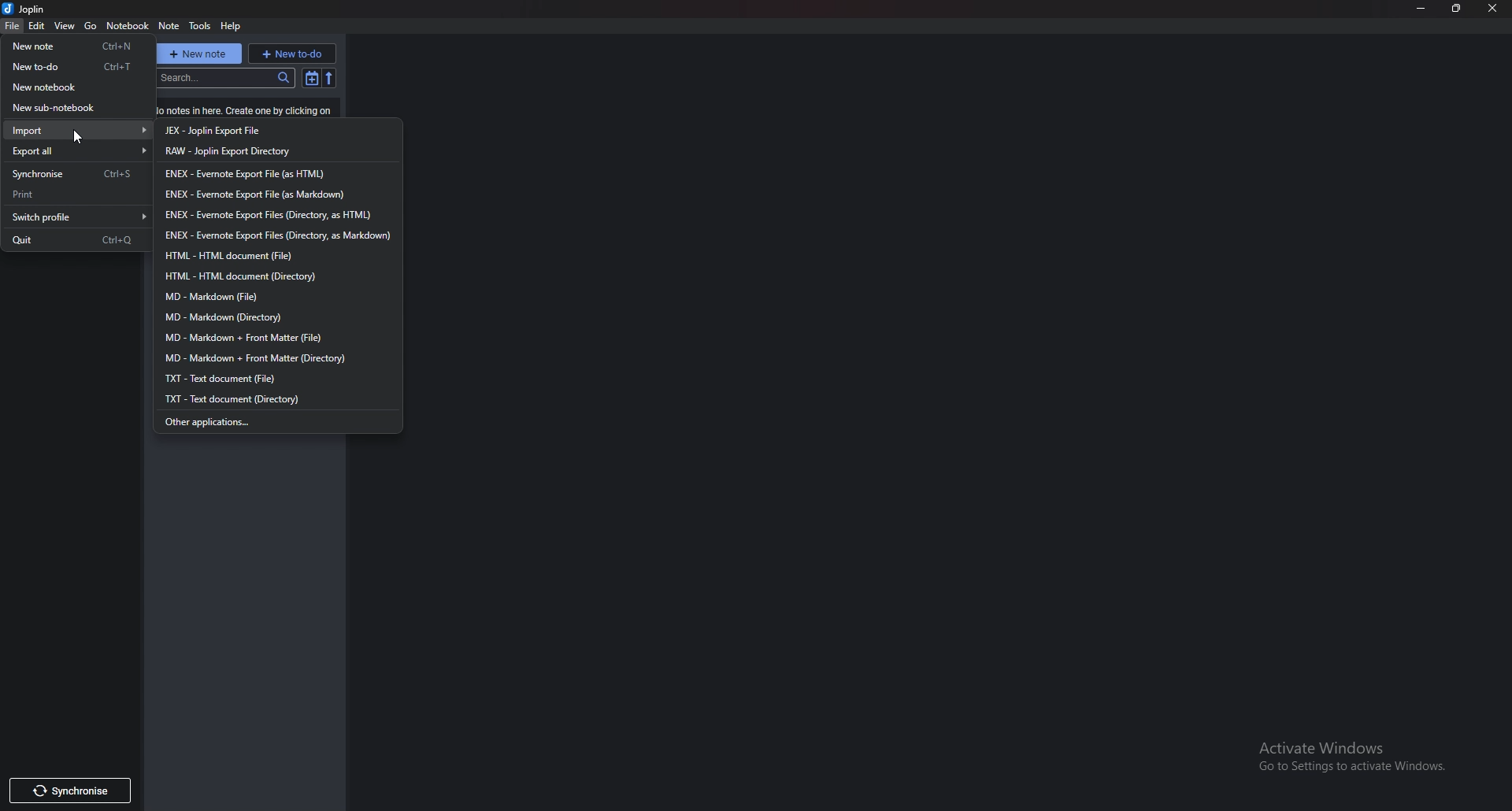 The width and height of the screenshot is (1512, 811). What do you see at coordinates (78, 66) in the screenshot?
I see `New to do` at bounding box center [78, 66].